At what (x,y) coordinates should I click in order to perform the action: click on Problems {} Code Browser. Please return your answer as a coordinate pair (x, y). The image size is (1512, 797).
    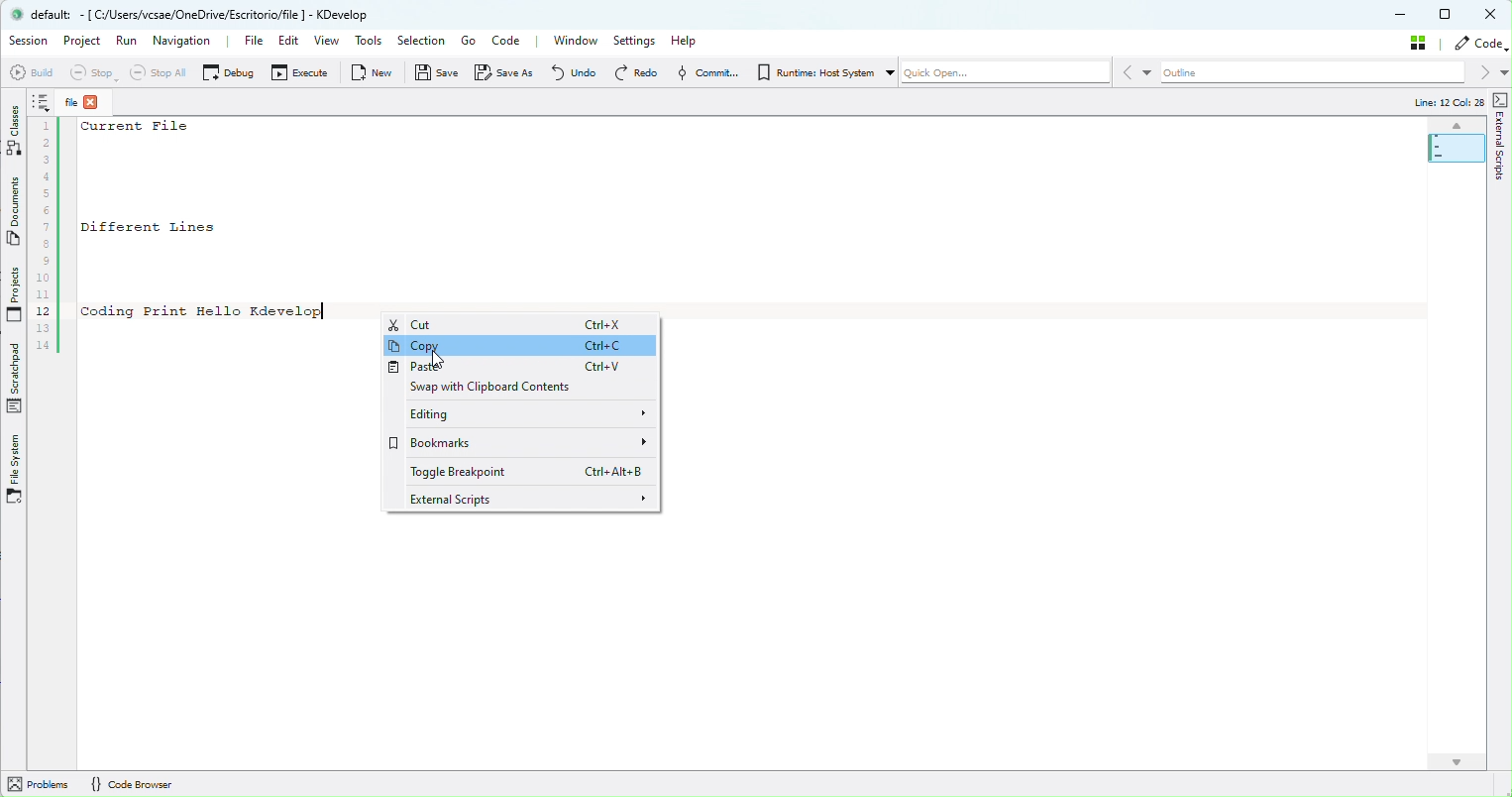
    Looking at the image, I should click on (148, 784).